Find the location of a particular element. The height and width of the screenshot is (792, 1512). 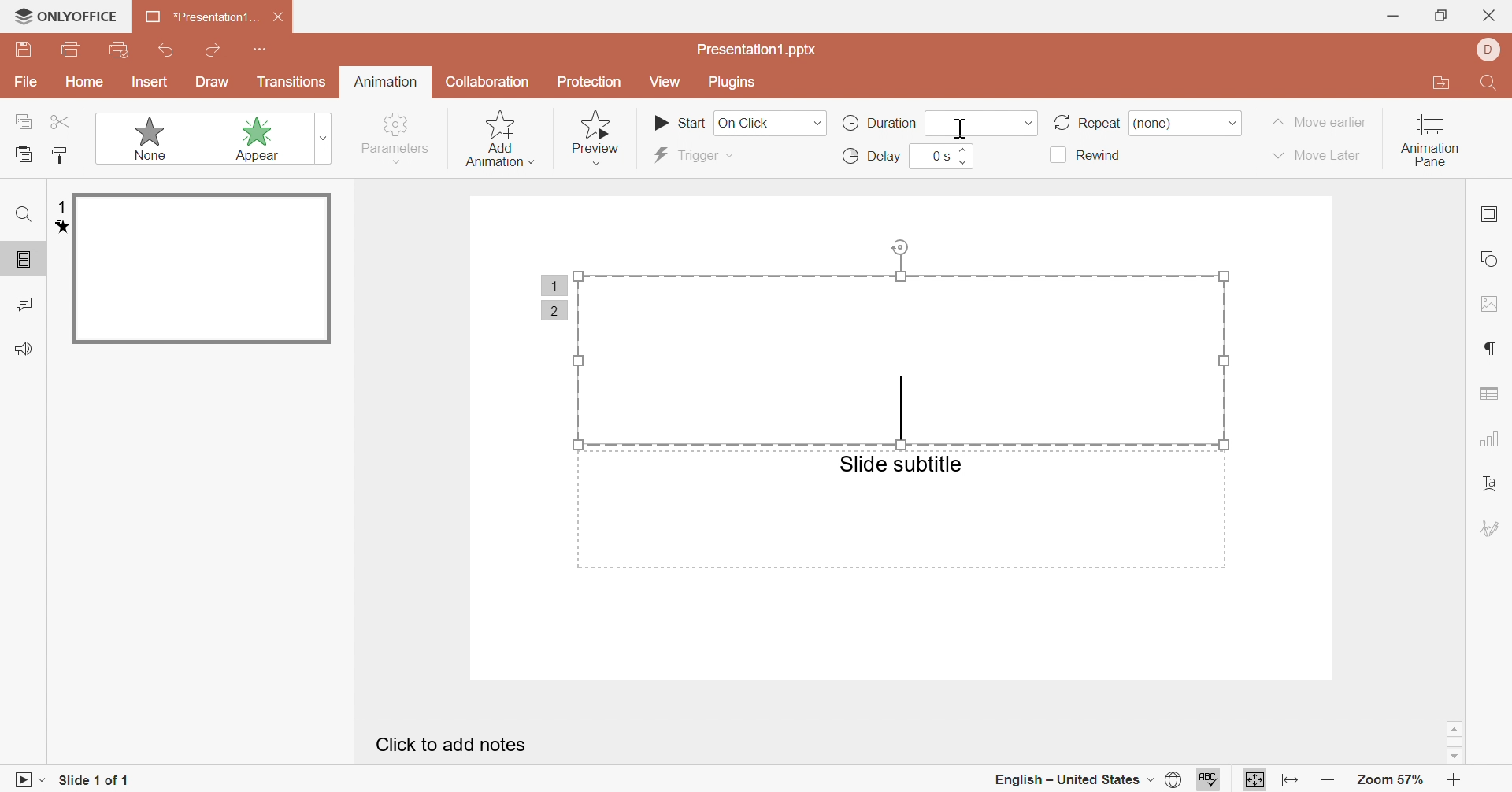

slide 1 of 1 is located at coordinates (95, 781).